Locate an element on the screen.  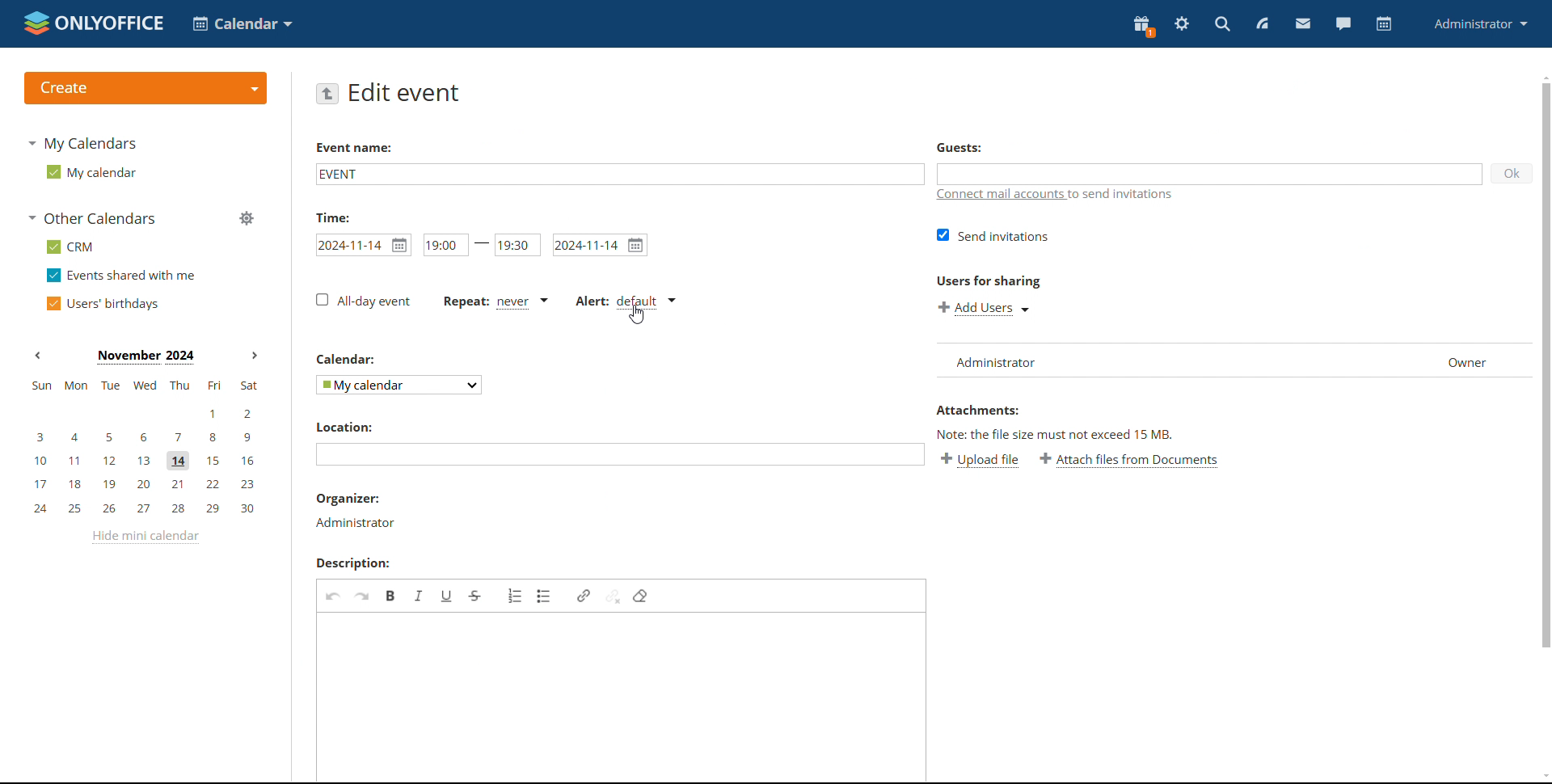
chat is located at coordinates (1341, 23).